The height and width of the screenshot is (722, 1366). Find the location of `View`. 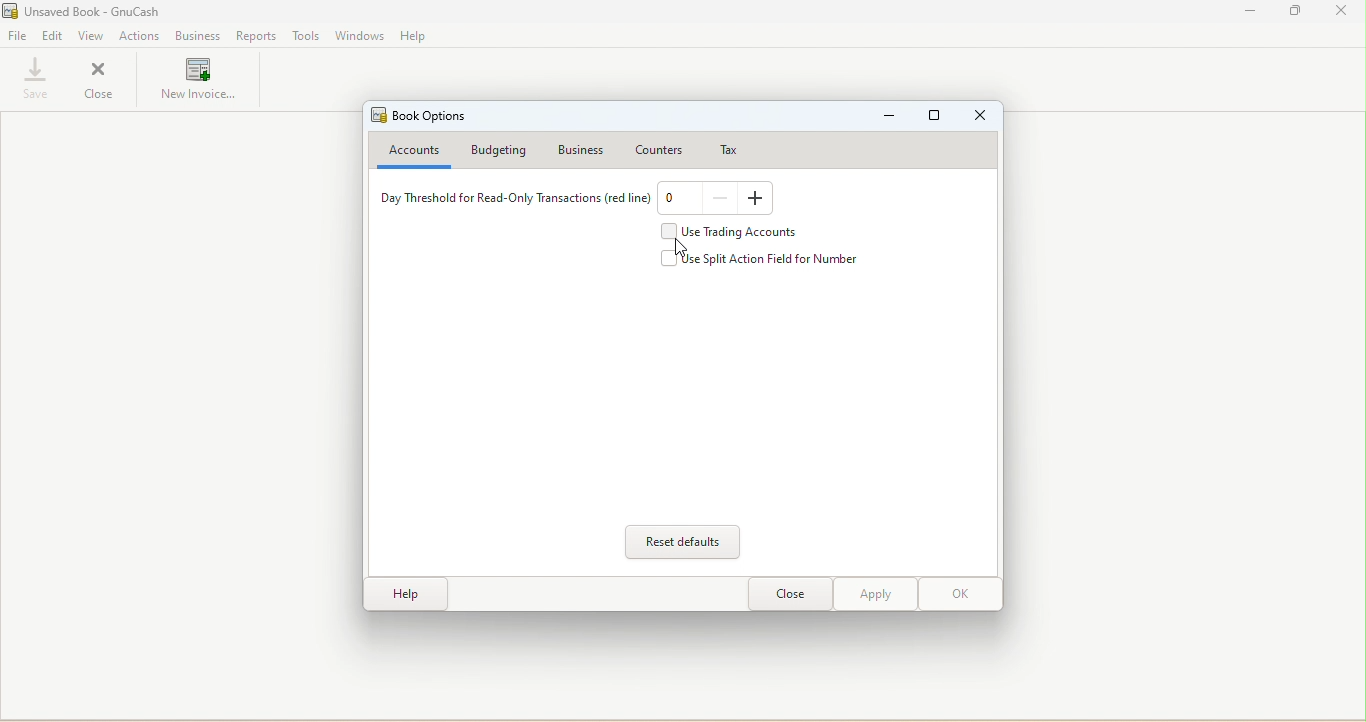

View is located at coordinates (93, 36).